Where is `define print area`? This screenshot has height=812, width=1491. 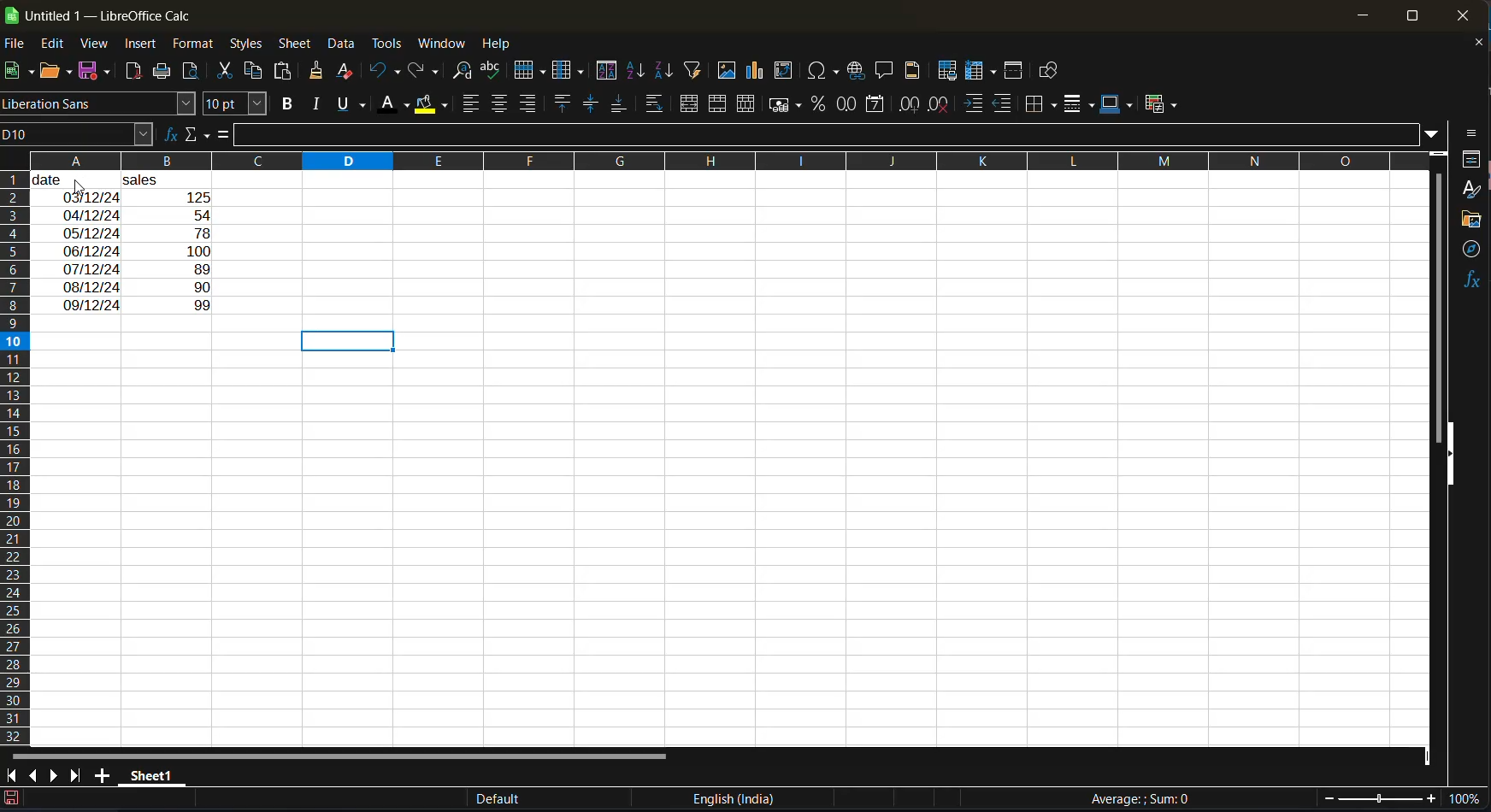
define print area is located at coordinates (948, 70).